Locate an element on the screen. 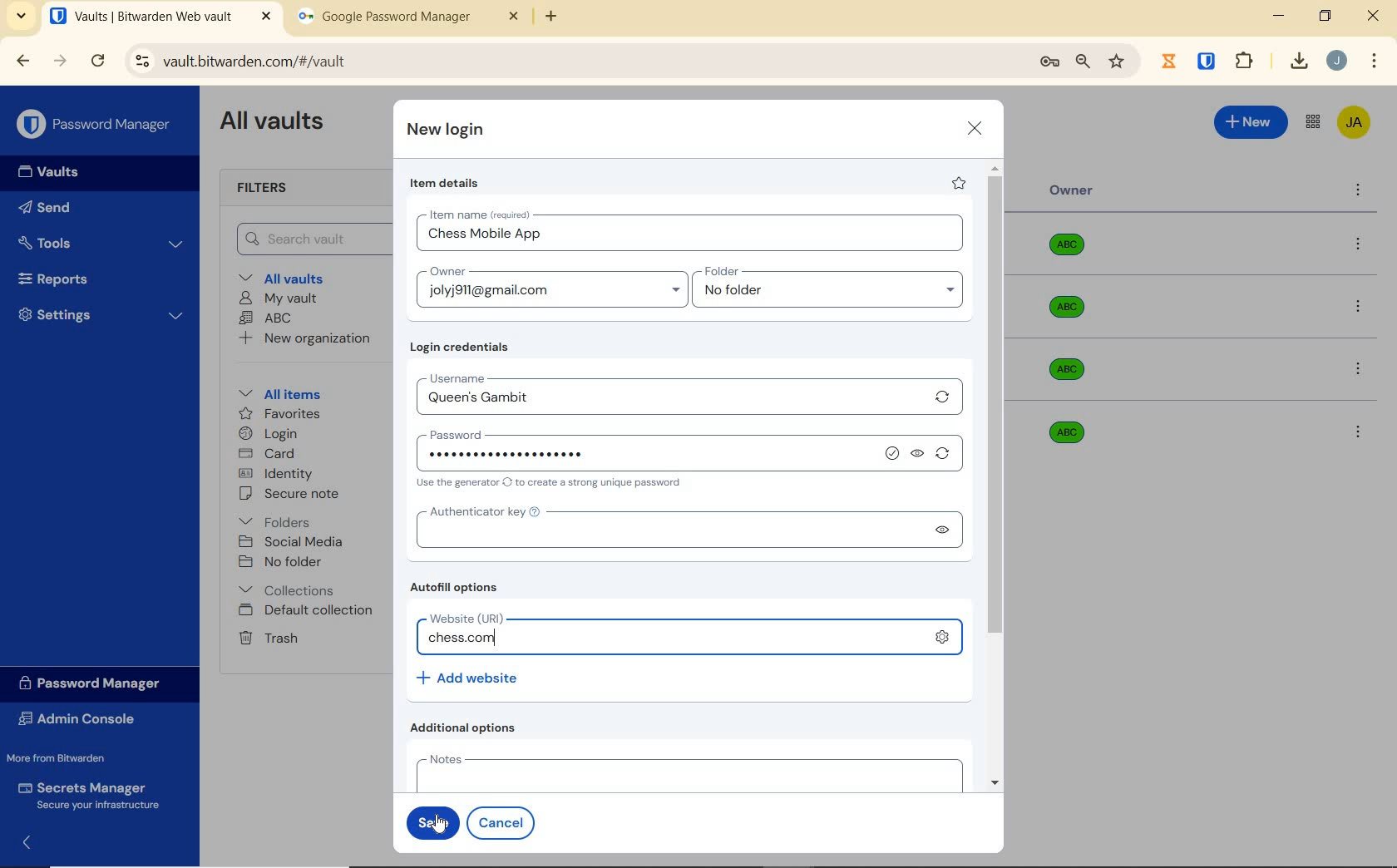  item details is located at coordinates (445, 184).